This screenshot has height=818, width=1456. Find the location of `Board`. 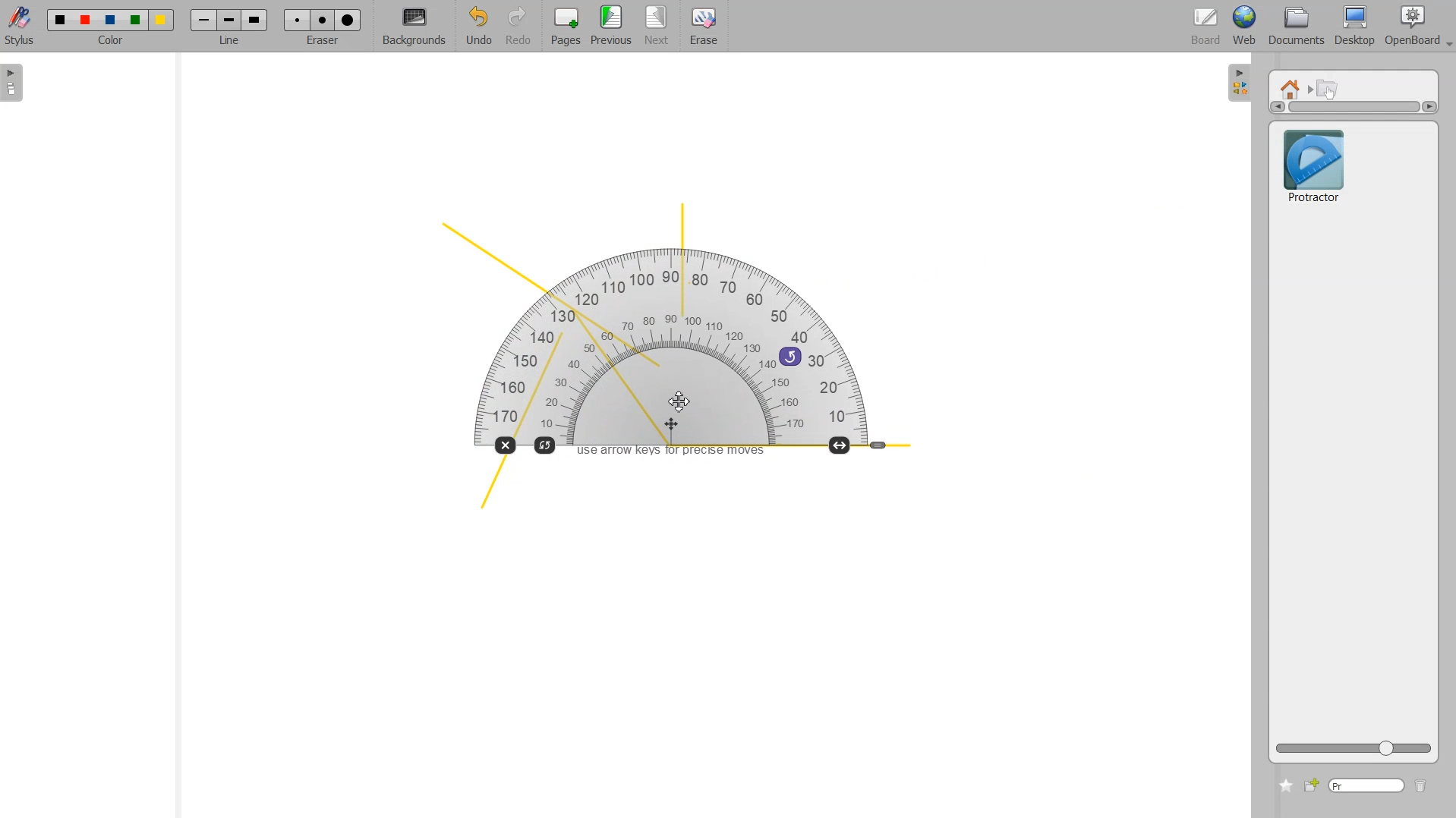

Board is located at coordinates (1206, 27).